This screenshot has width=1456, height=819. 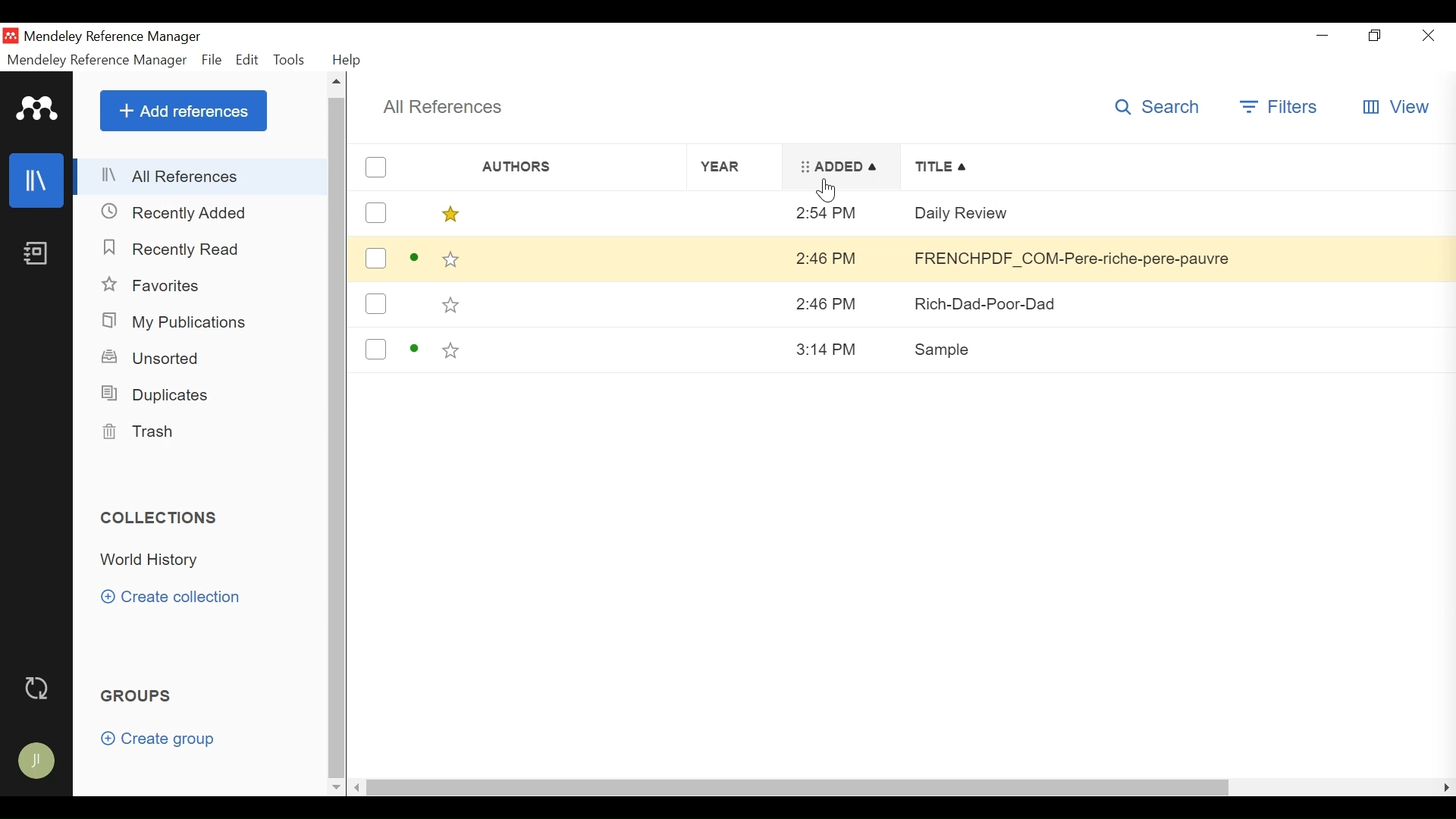 What do you see at coordinates (154, 287) in the screenshot?
I see `Favorites` at bounding box center [154, 287].